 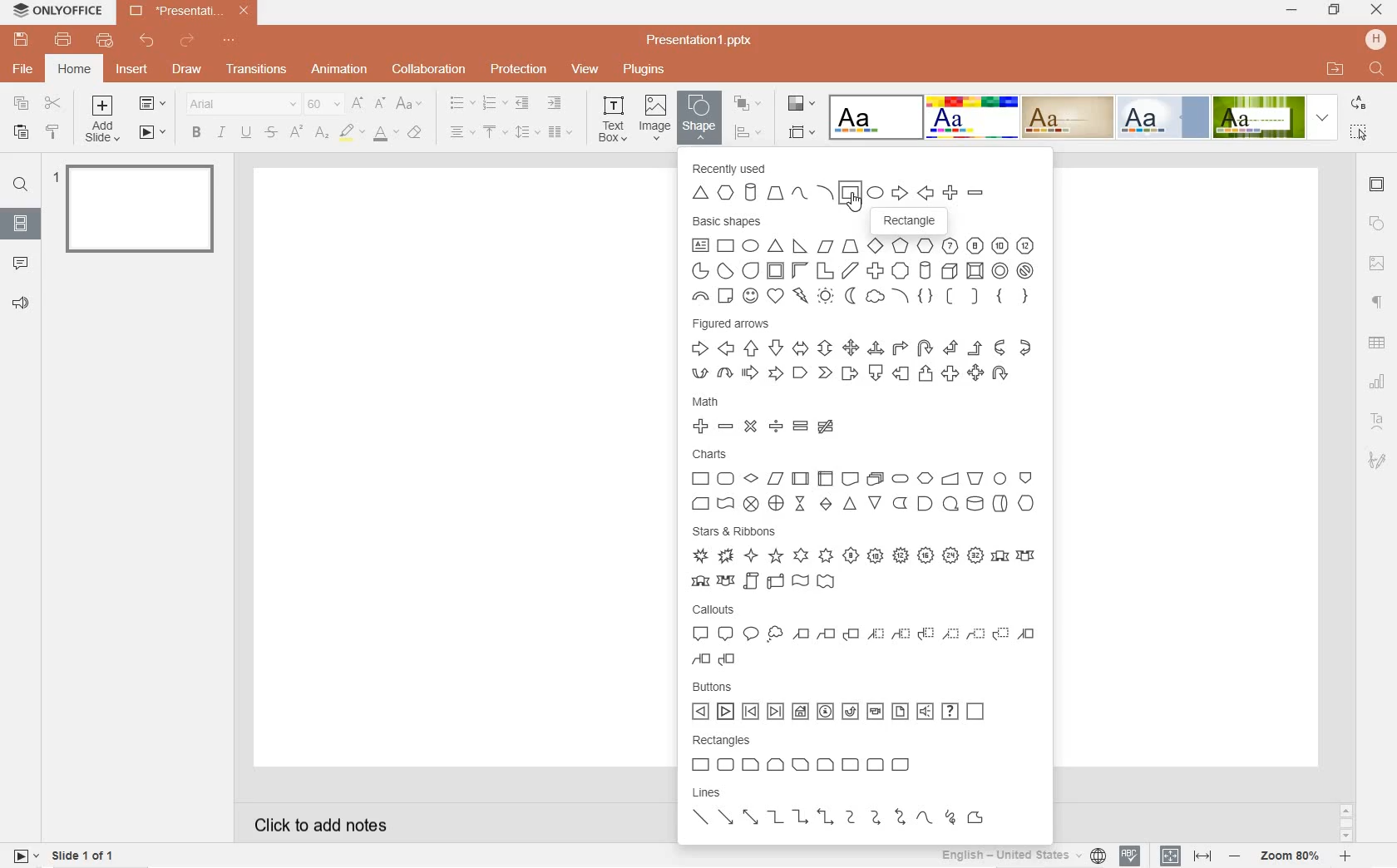 I want to click on Down ribbon, so click(x=1026, y=557).